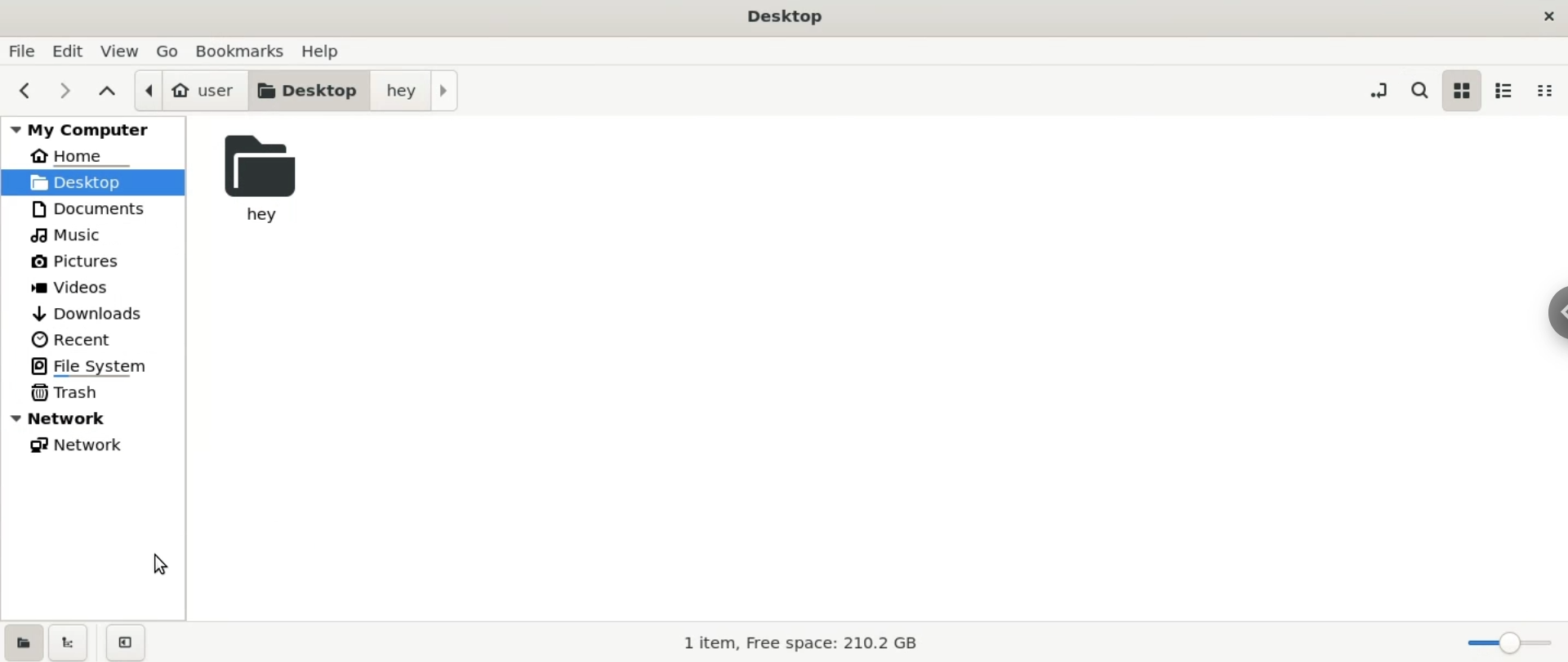 The image size is (1568, 662). Describe the element at coordinates (1374, 92) in the screenshot. I see `toggle location entry` at that location.